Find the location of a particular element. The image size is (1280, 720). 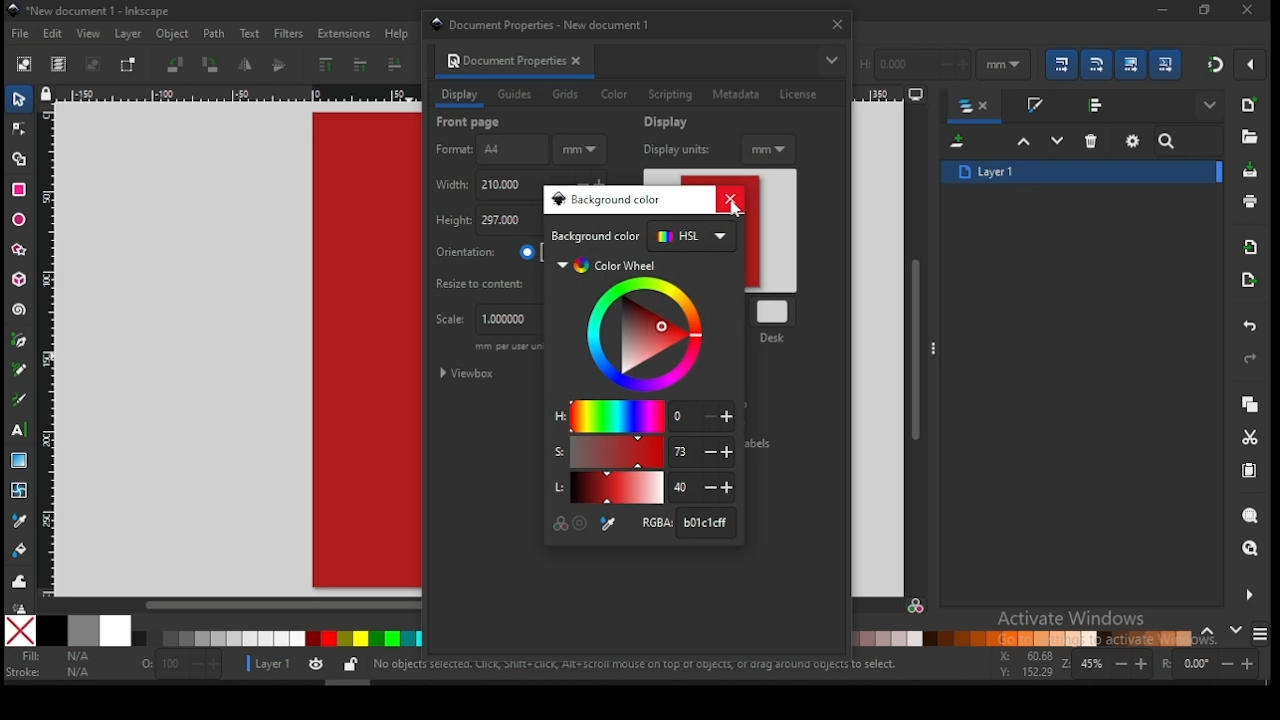

lightness is located at coordinates (642, 488).